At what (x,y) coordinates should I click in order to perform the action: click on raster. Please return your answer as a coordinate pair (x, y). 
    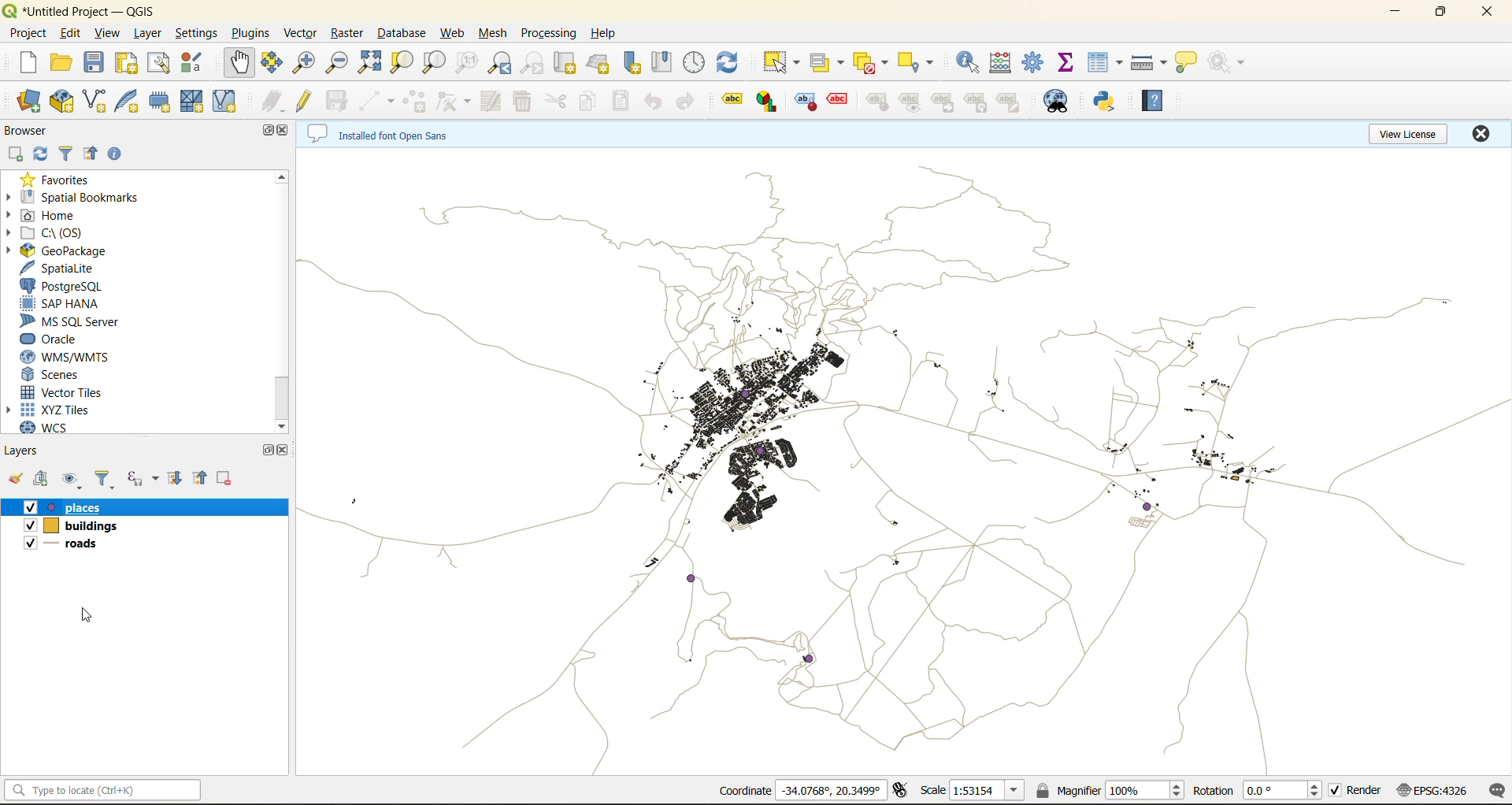
    Looking at the image, I should click on (348, 32).